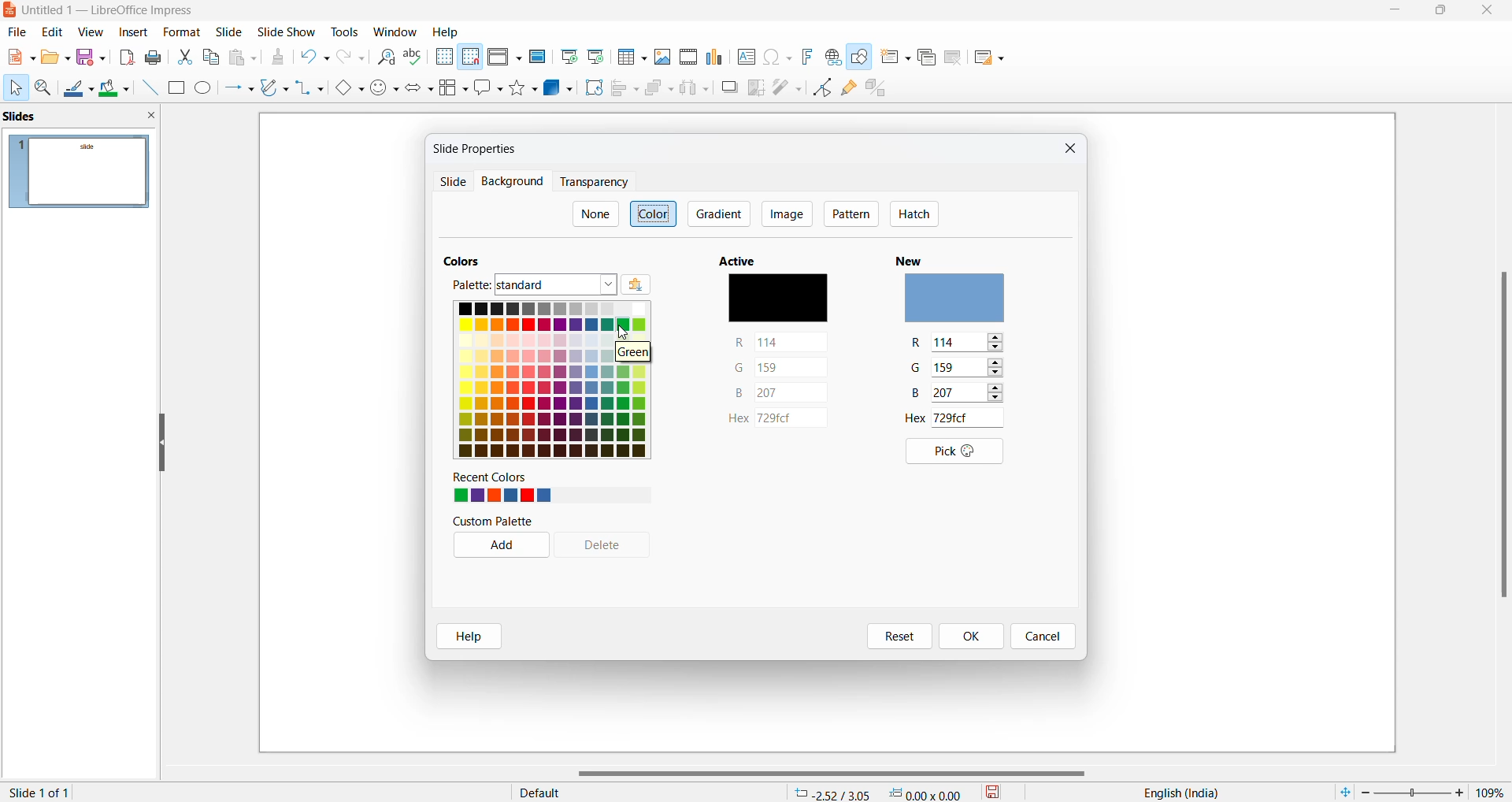 Image resolution: width=1512 pixels, height=802 pixels. What do you see at coordinates (176, 87) in the screenshot?
I see `rectangle ` at bounding box center [176, 87].